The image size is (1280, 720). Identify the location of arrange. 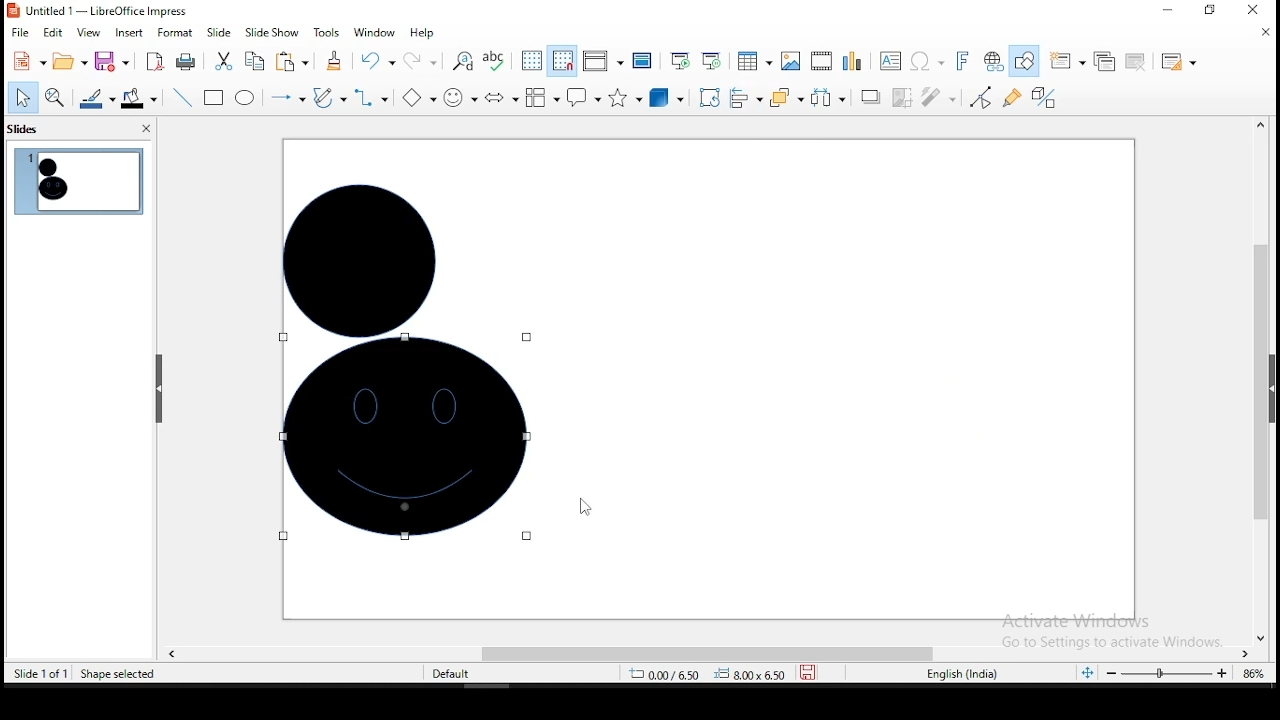
(785, 99).